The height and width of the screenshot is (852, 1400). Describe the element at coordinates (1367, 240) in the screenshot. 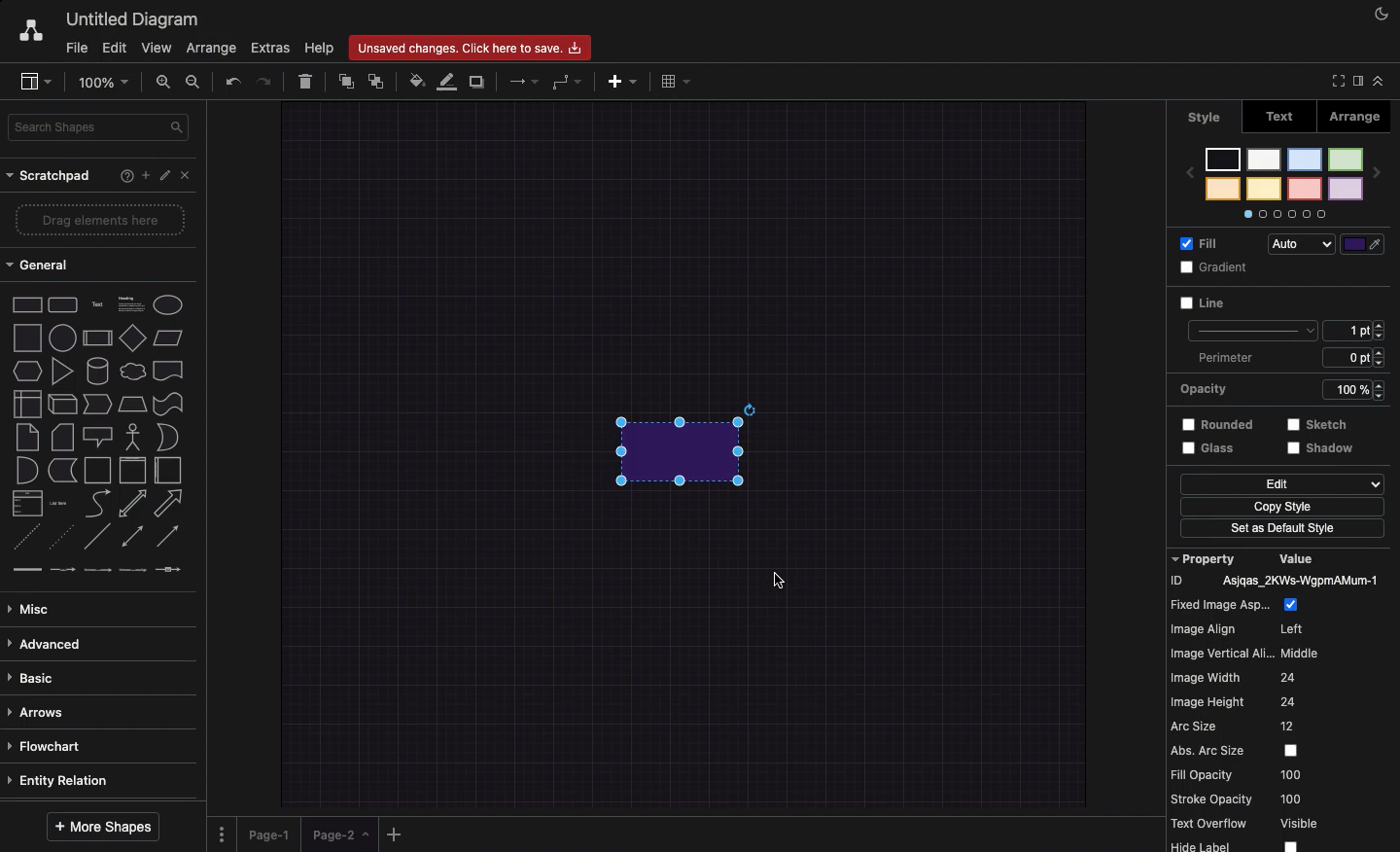

I see `Line color` at that location.